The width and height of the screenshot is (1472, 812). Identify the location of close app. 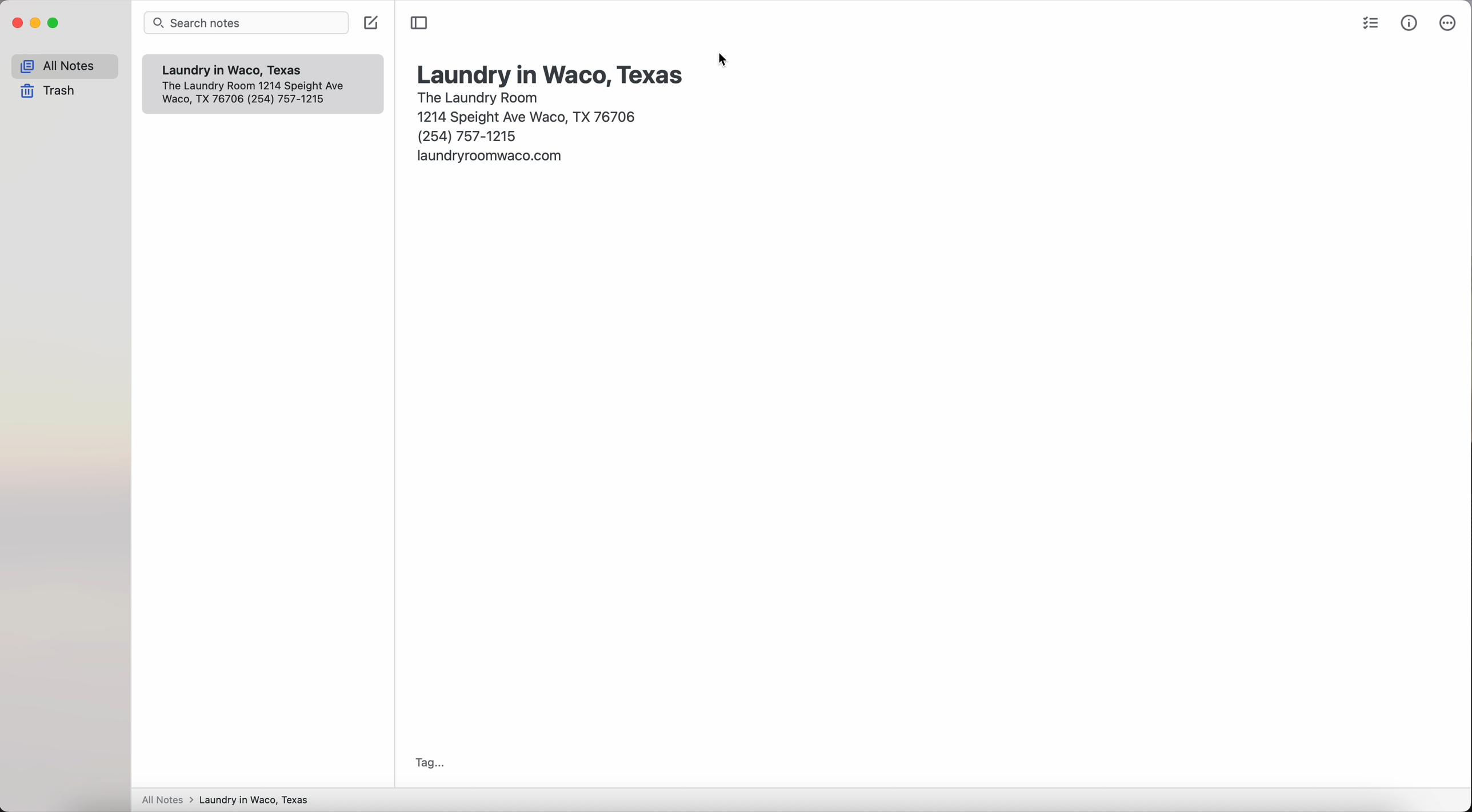
(18, 23).